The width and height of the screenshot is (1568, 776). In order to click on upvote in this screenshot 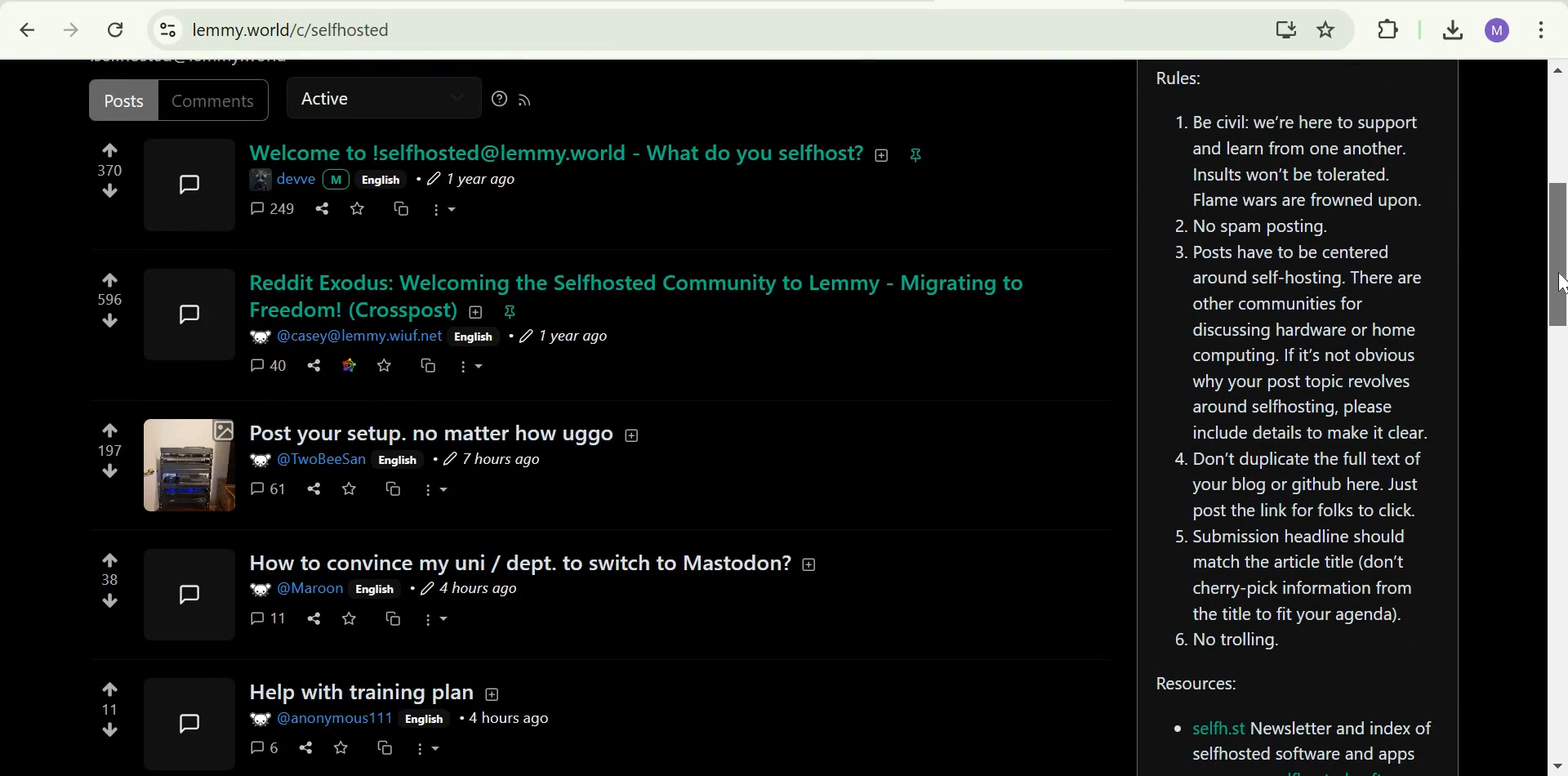, I will do `click(111, 689)`.